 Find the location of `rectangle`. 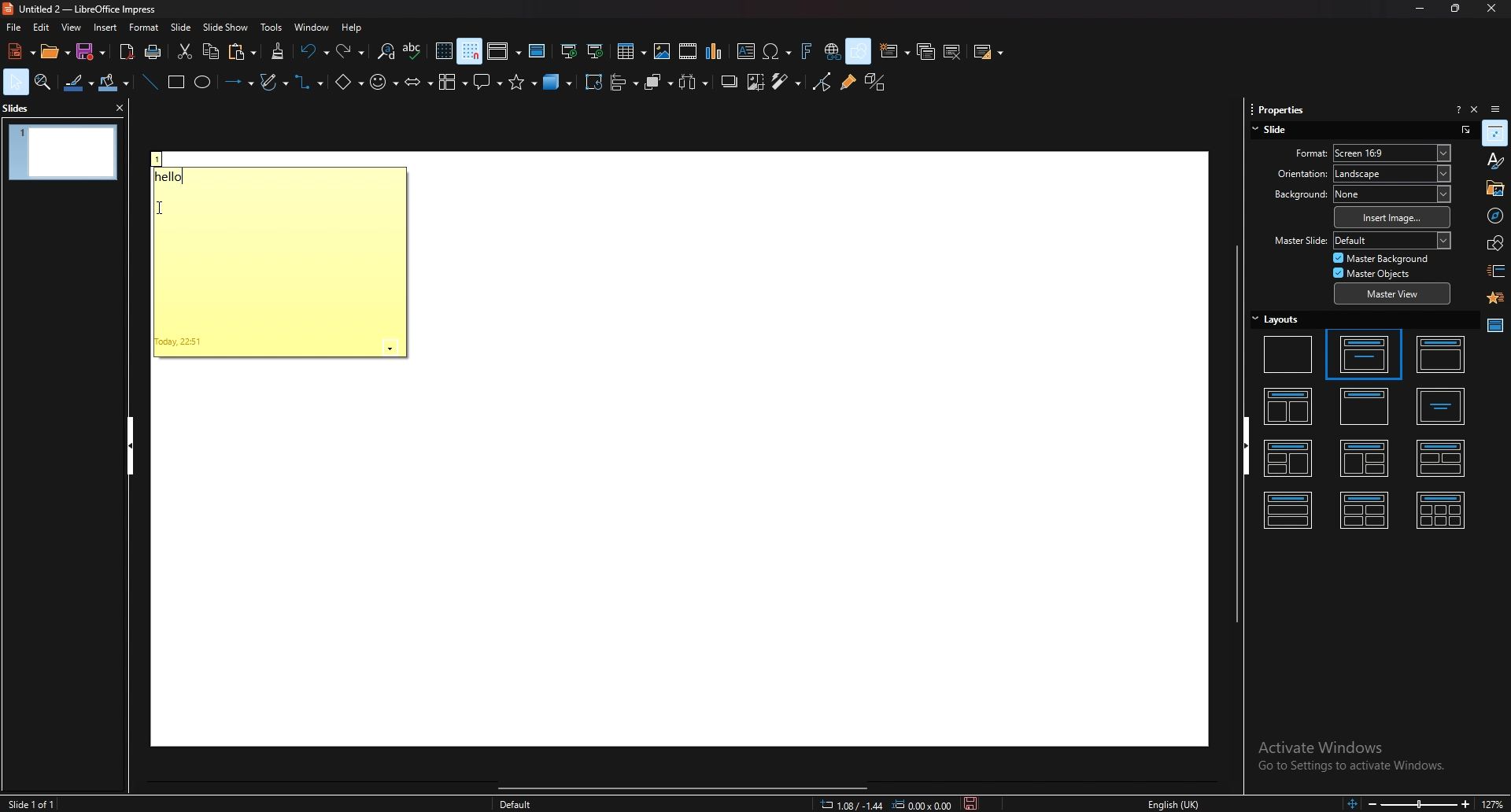

rectangle is located at coordinates (175, 83).